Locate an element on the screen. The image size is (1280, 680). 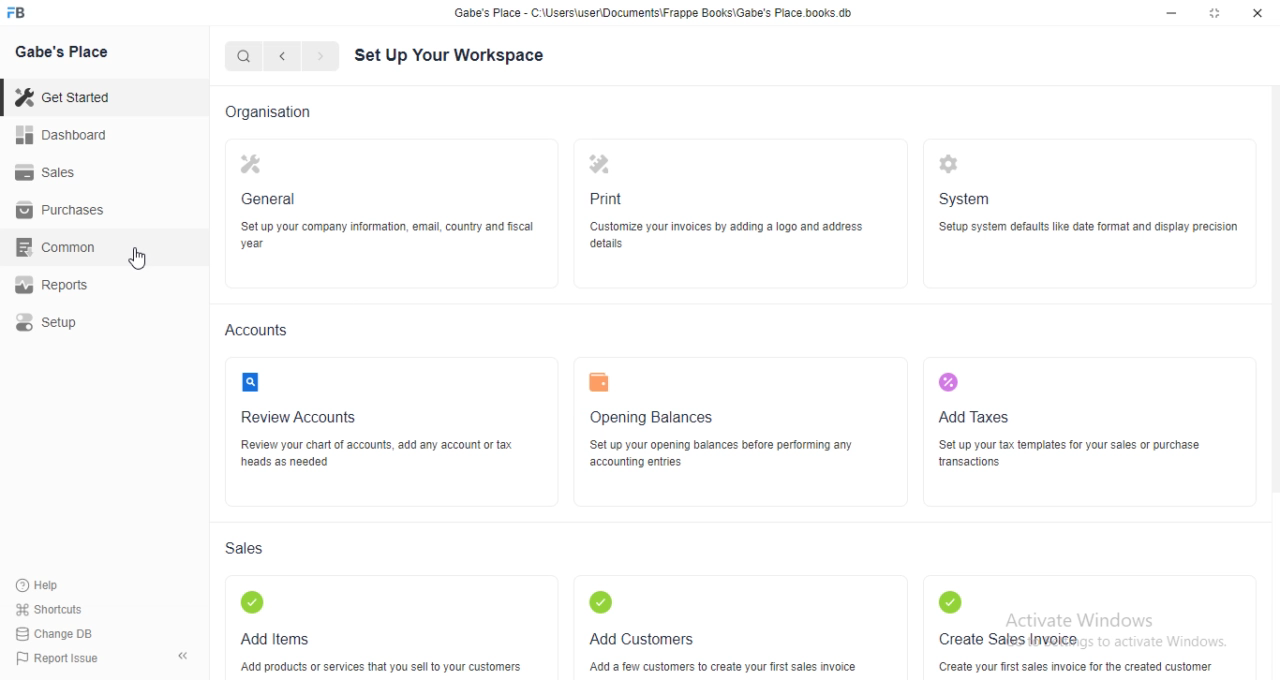
Full screen is located at coordinates (1212, 13).